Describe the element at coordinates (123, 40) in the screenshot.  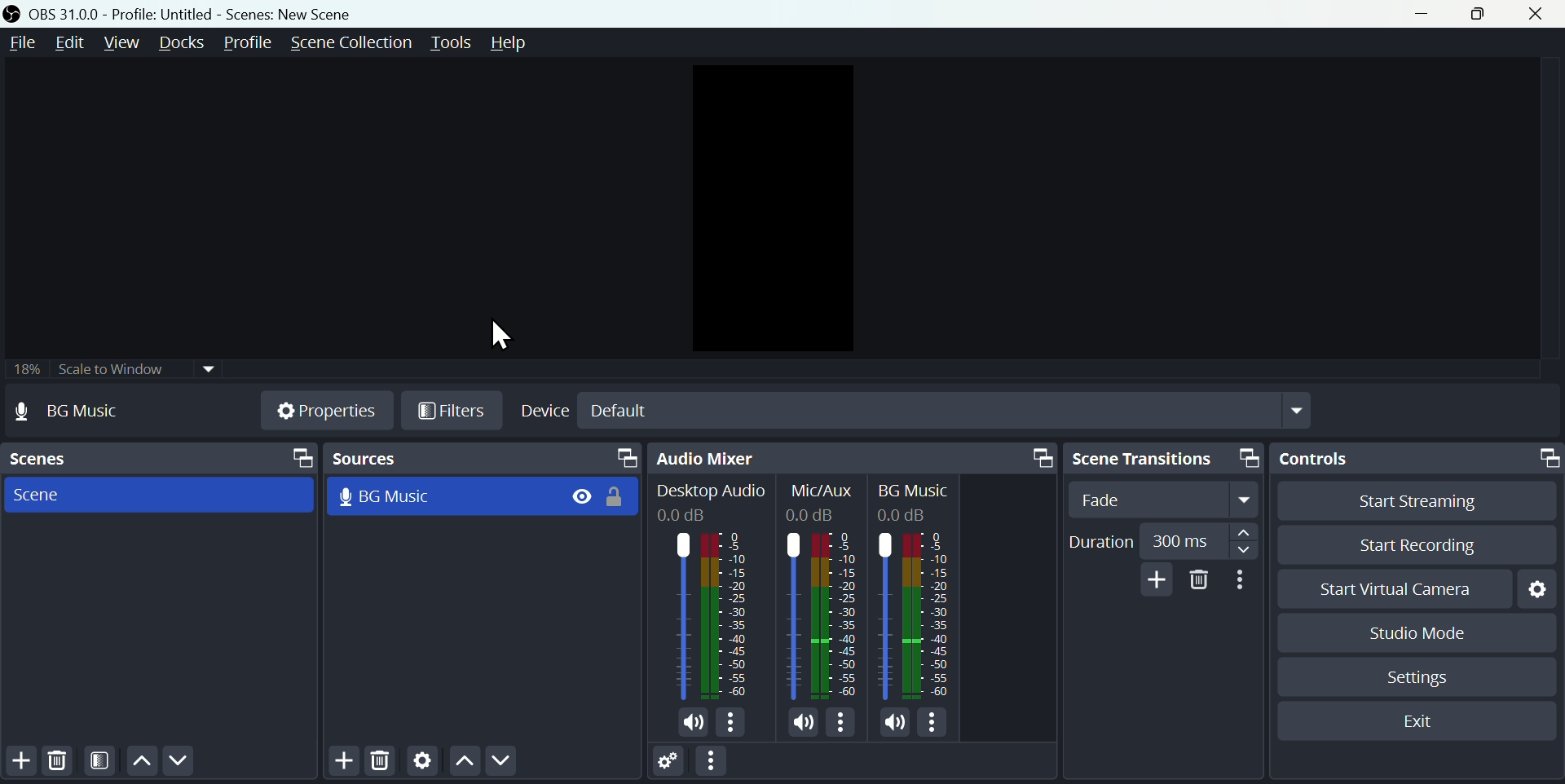
I see `View` at that location.